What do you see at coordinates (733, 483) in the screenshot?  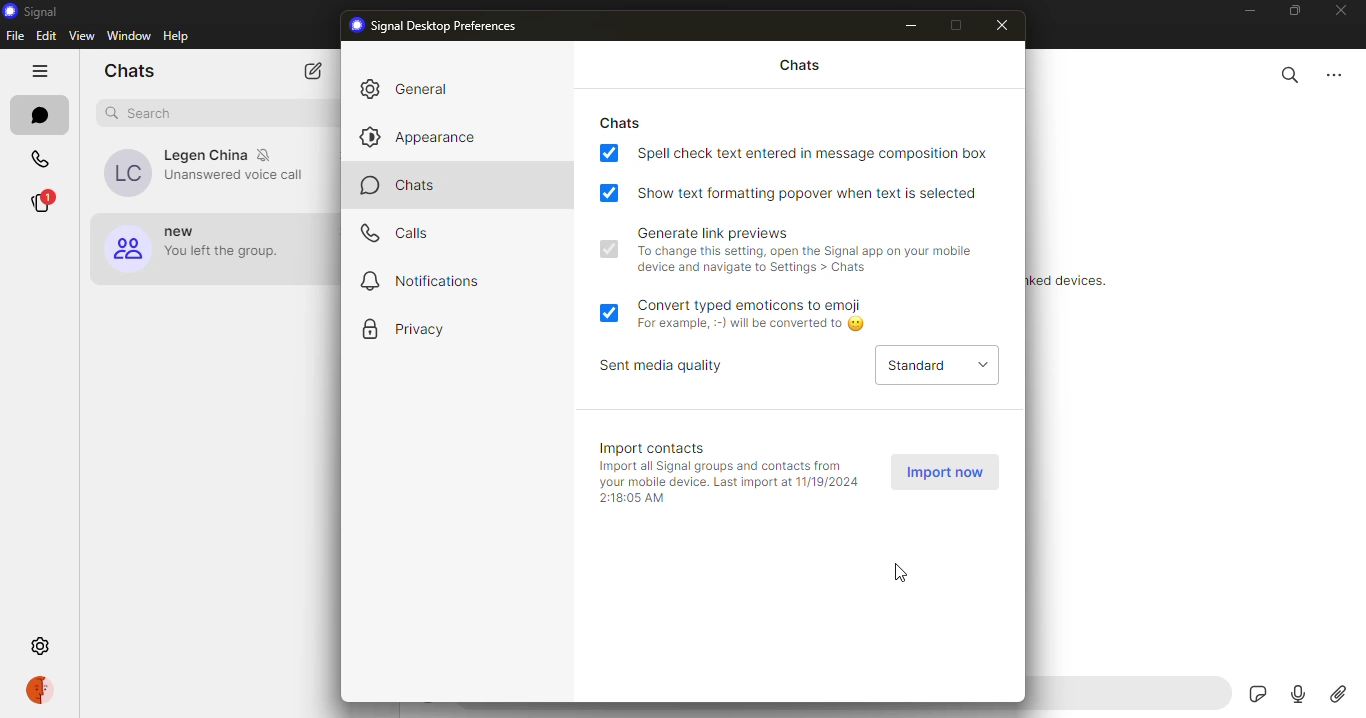 I see `info` at bounding box center [733, 483].